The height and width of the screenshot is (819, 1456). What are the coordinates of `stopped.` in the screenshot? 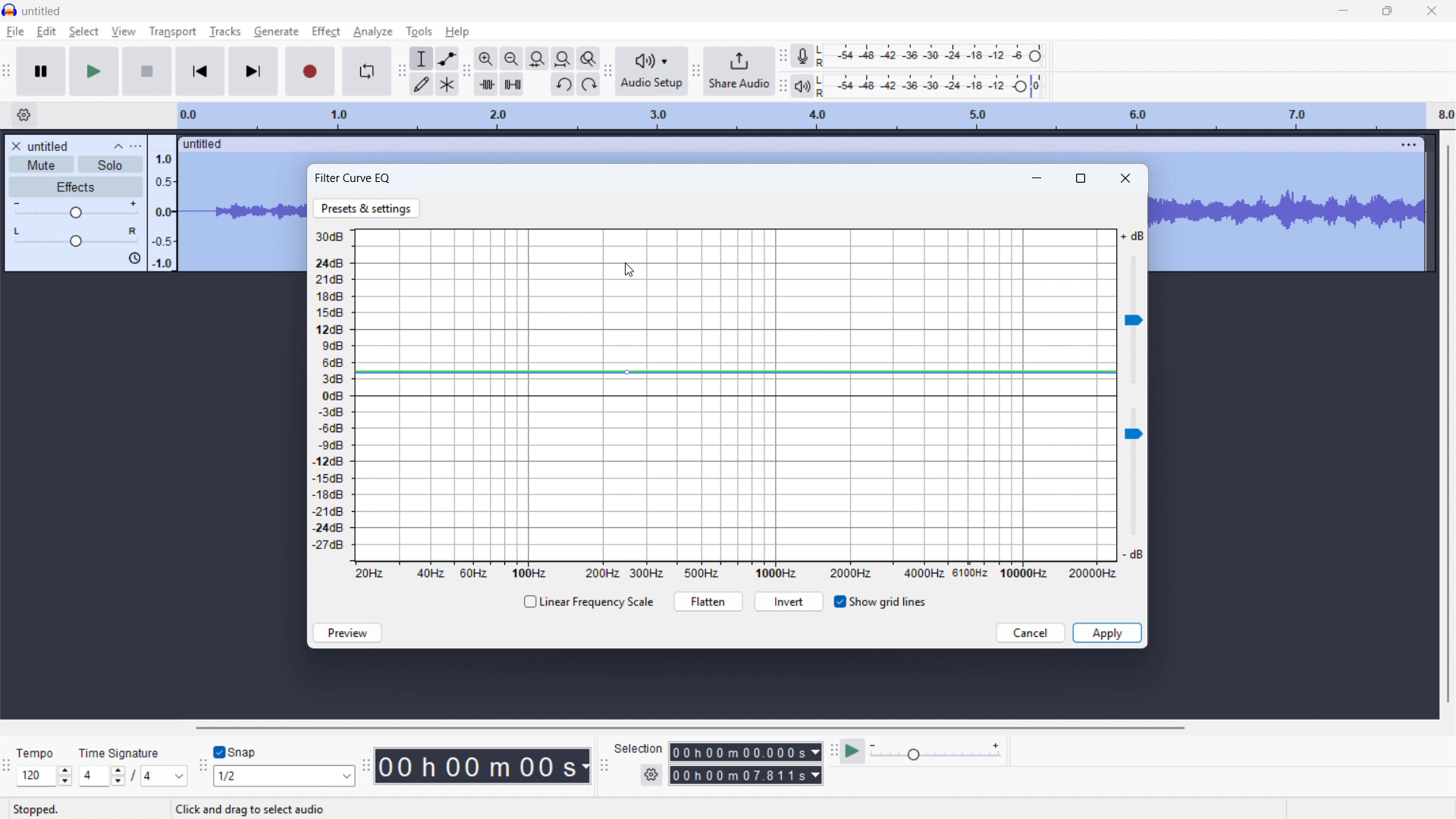 It's located at (36, 810).